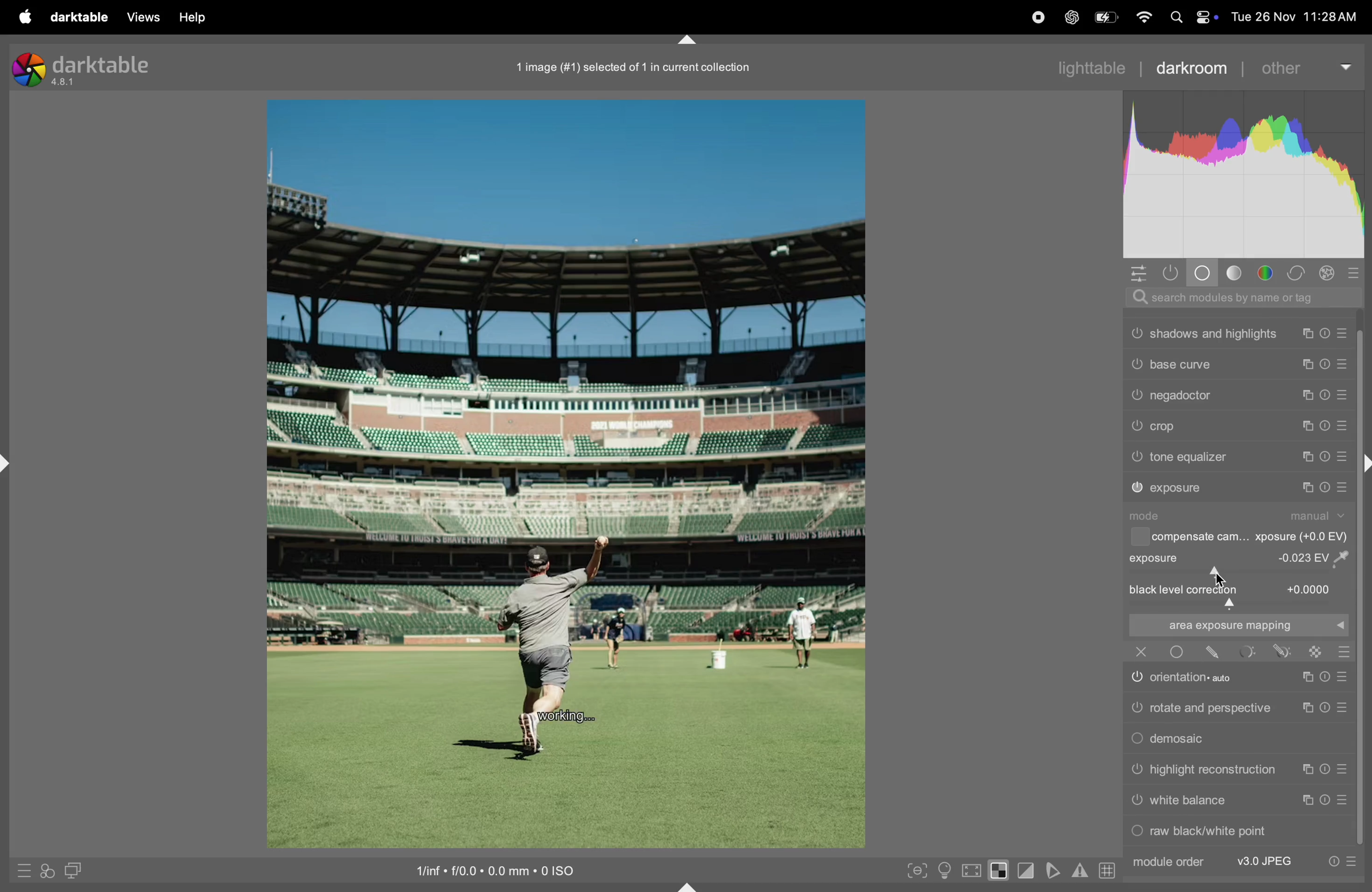 This screenshot has width=1372, height=892. What do you see at coordinates (1028, 871) in the screenshot?
I see `toggle clipping indication` at bounding box center [1028, 871].